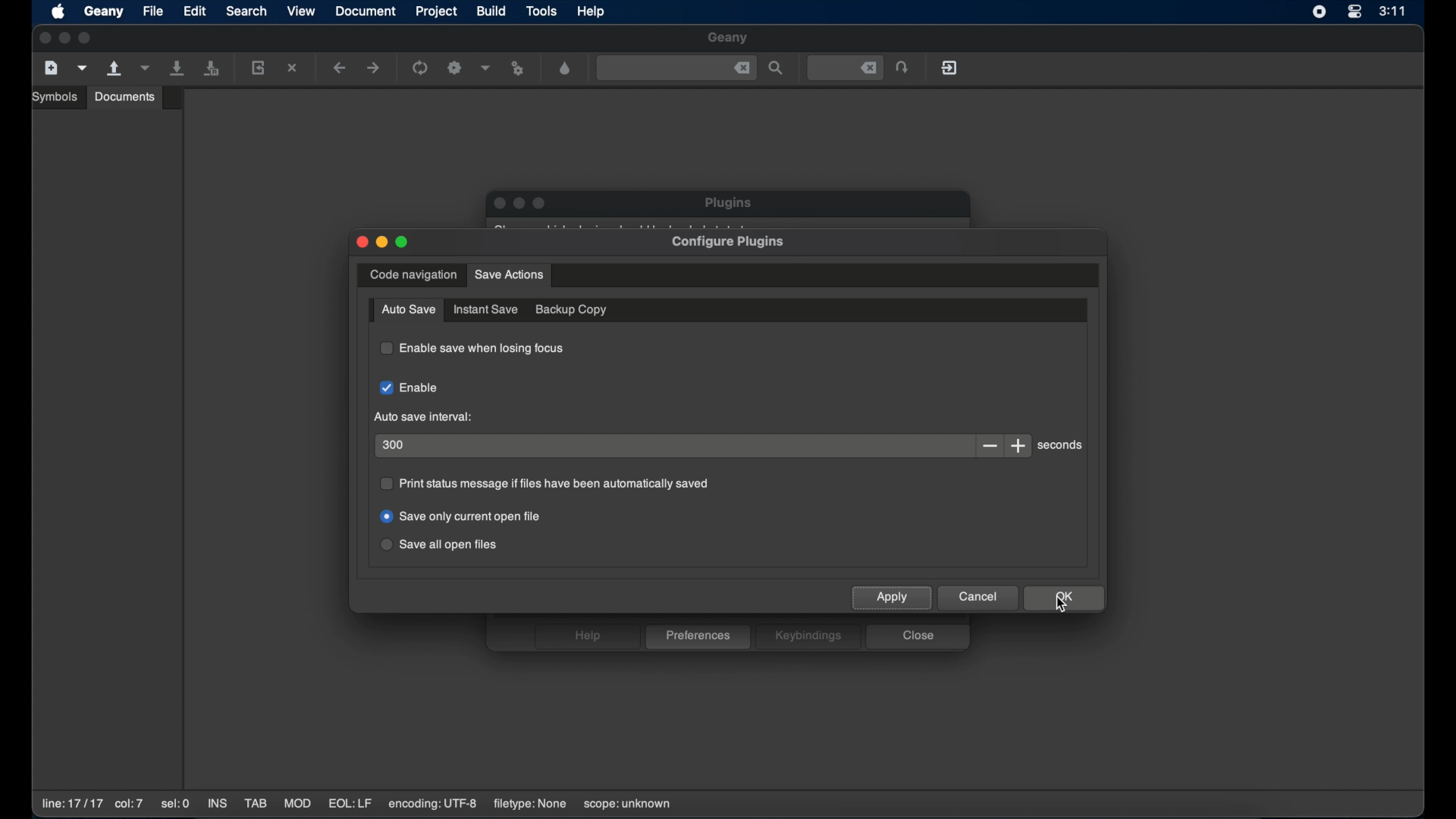  What do you see at coordinates (1063, 445) in the screenshot?
I see `seconds` at bounding box center [1063, 445].